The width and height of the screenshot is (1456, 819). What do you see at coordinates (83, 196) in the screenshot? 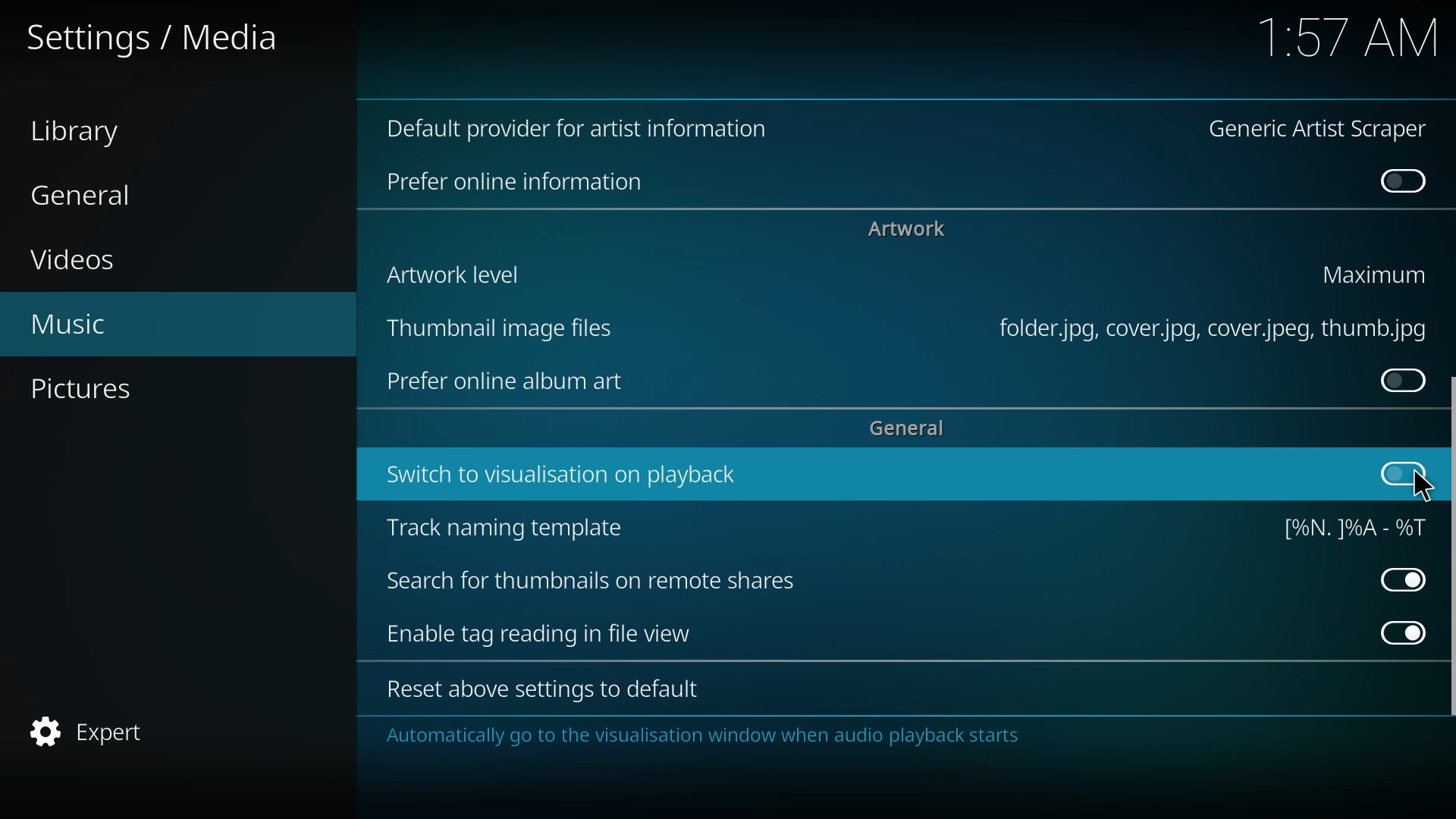
I see `general` at bounding box center [83, 196].